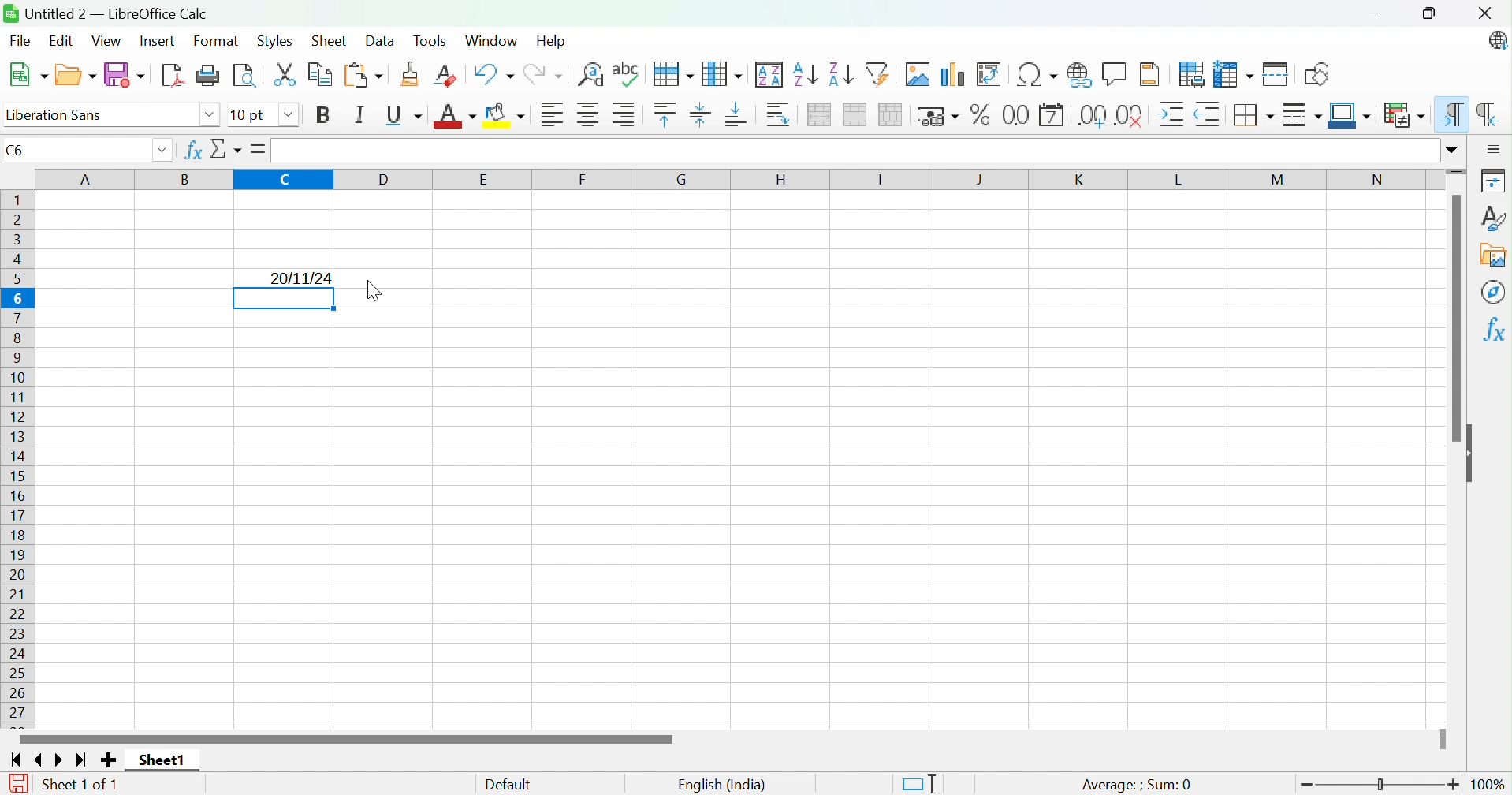 This screenshot has height=795, width=1512. What do you see at coordinates (106, 13) in the screenshot?
I see `Untitled 2 - LibreOffice Calc` at bounding box center [106, 13].